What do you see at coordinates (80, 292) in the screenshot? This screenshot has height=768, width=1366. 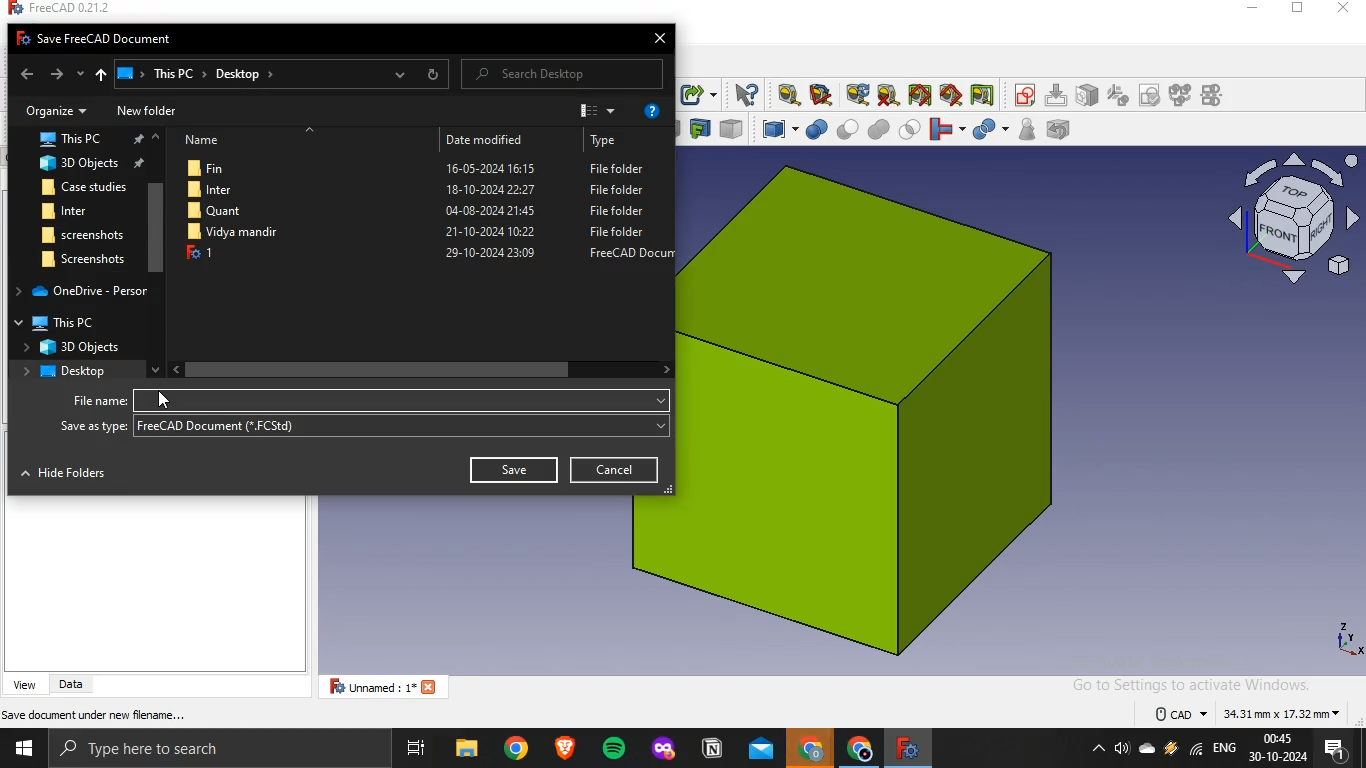 I see `one drive` at bounding box center [80, 292].